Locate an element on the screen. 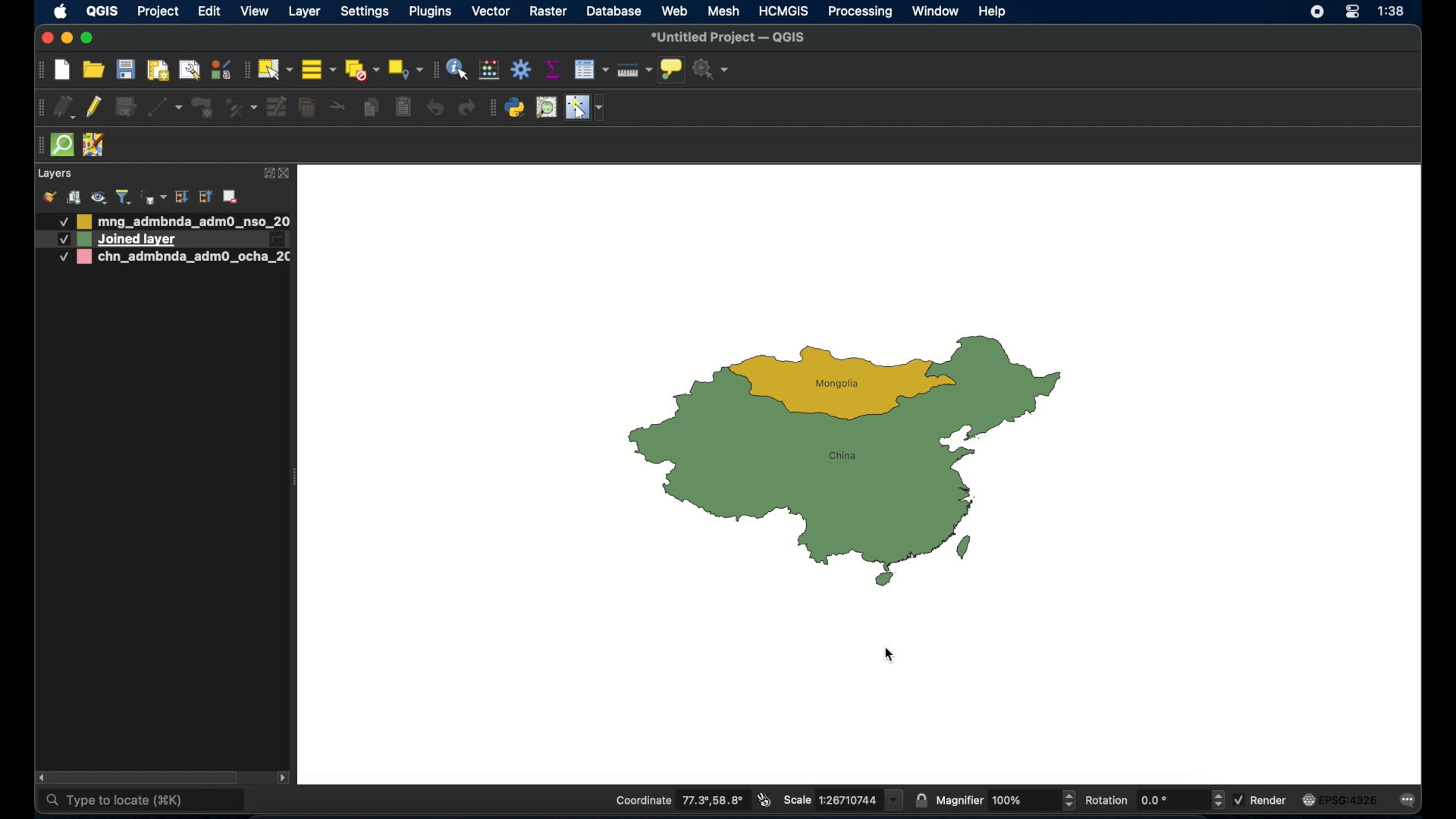 This screenshot has width=1456, height=819. control center is located at coordinates (1313, 14).